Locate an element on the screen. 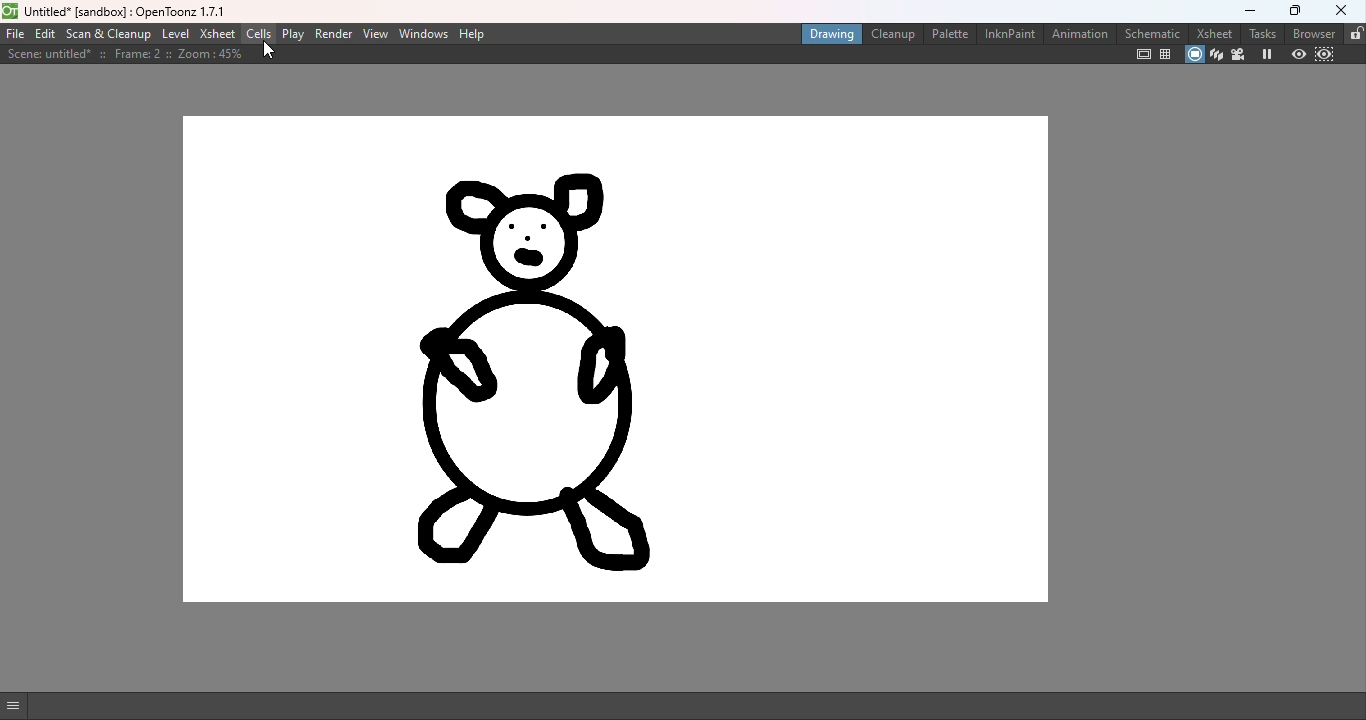 This screenshot has height=720, width=1366. Cells is located at coordinates (257, 33).